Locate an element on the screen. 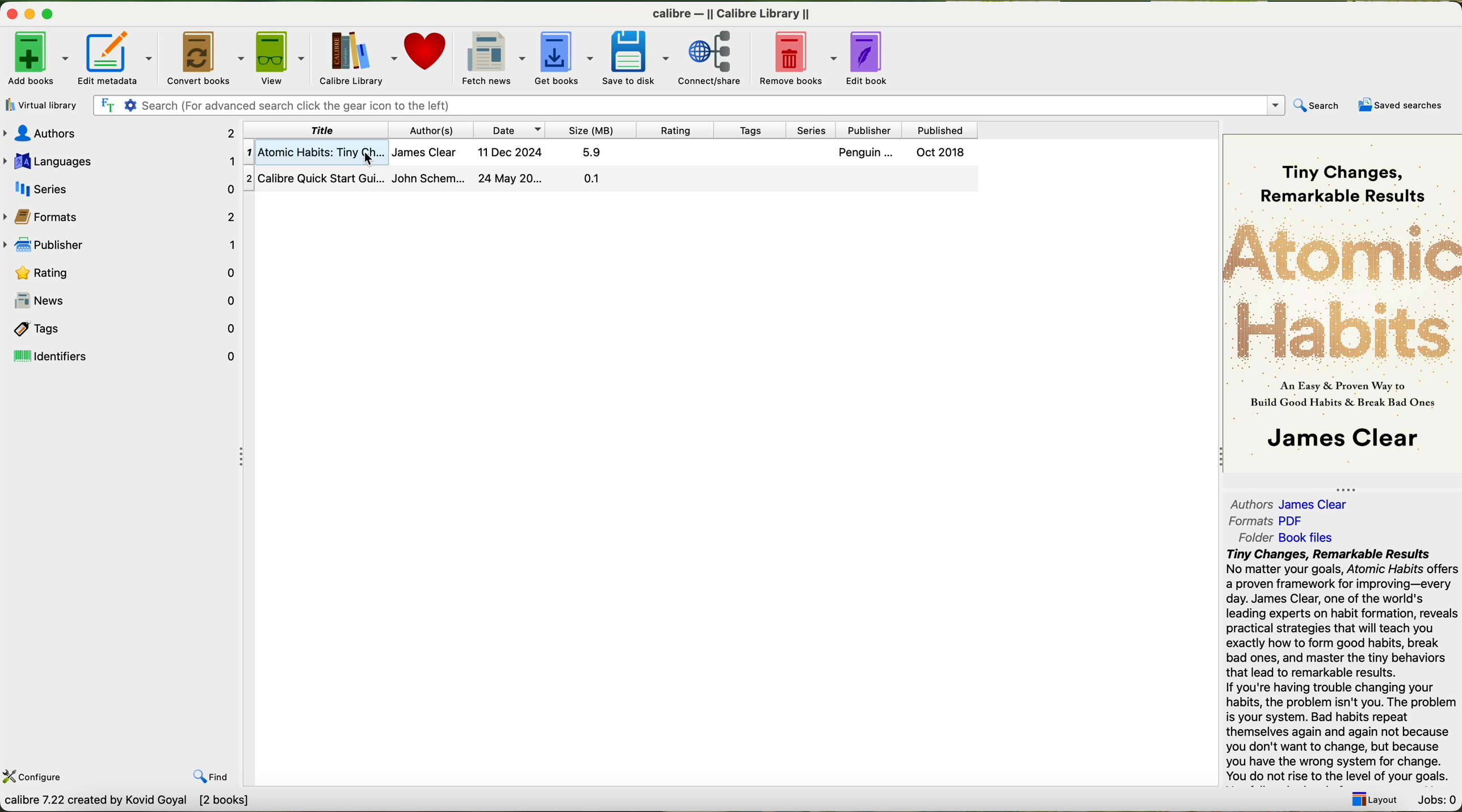 Image resolution: width=1462 pixels, height=812 pixels. formats is located at coordinates (124, 215).